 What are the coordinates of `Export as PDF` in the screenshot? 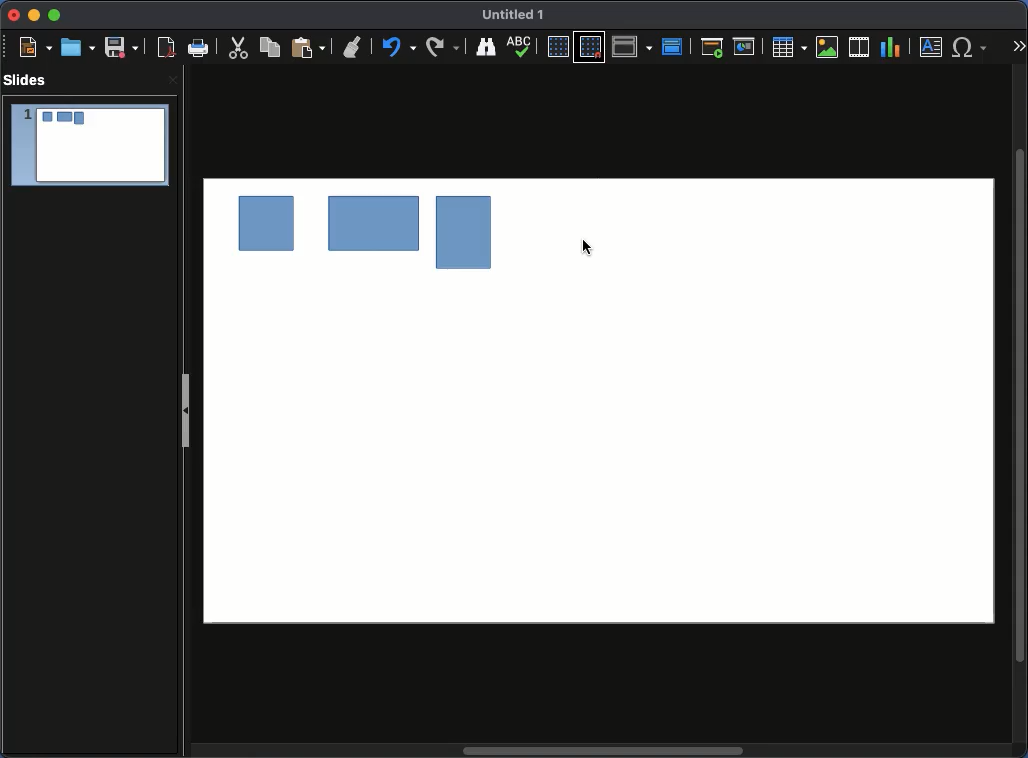 It's located at (163, 48).